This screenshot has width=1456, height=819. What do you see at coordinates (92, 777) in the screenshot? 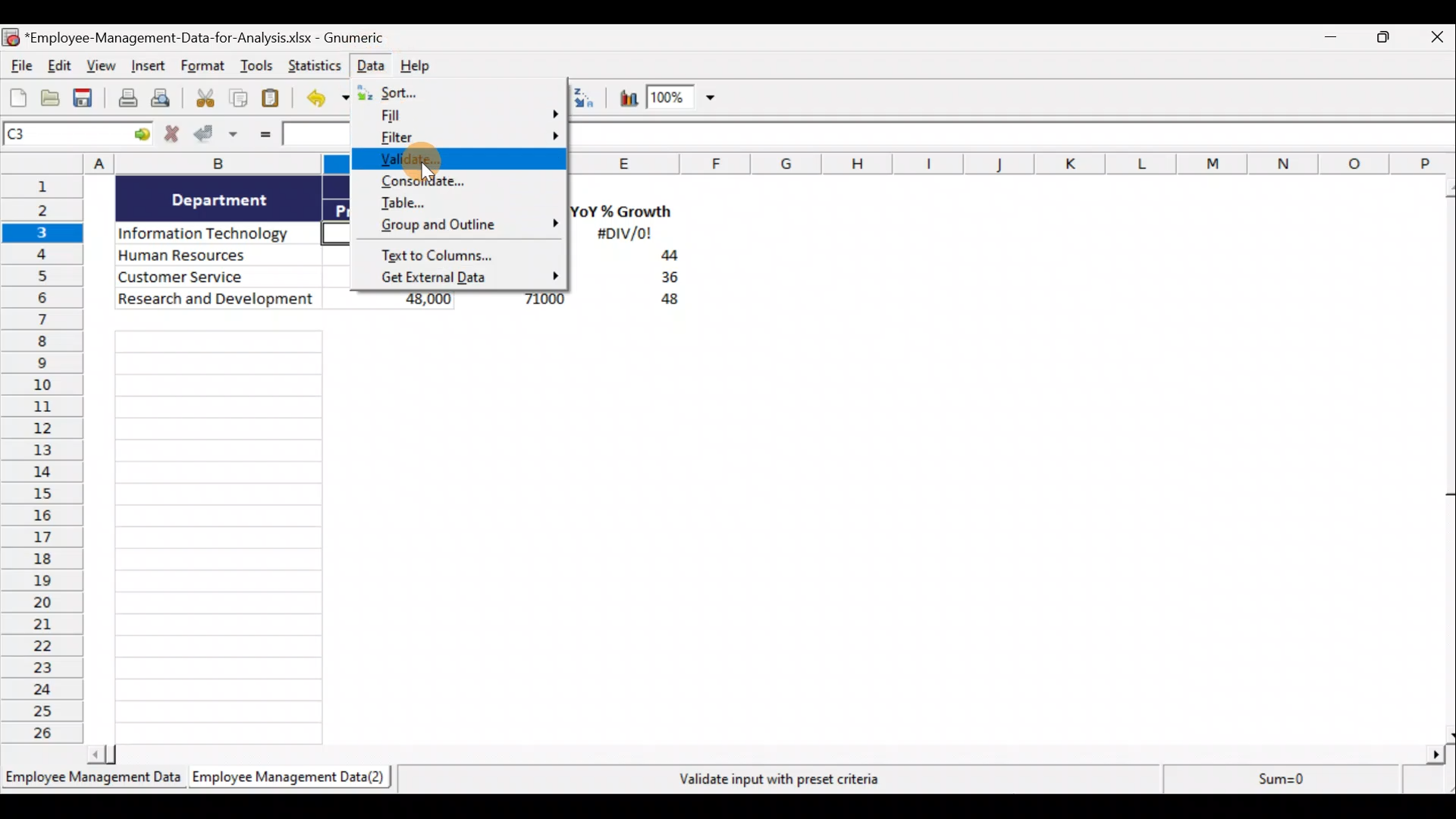
I see `Employee Management Data` at bounding box center [92, 777].